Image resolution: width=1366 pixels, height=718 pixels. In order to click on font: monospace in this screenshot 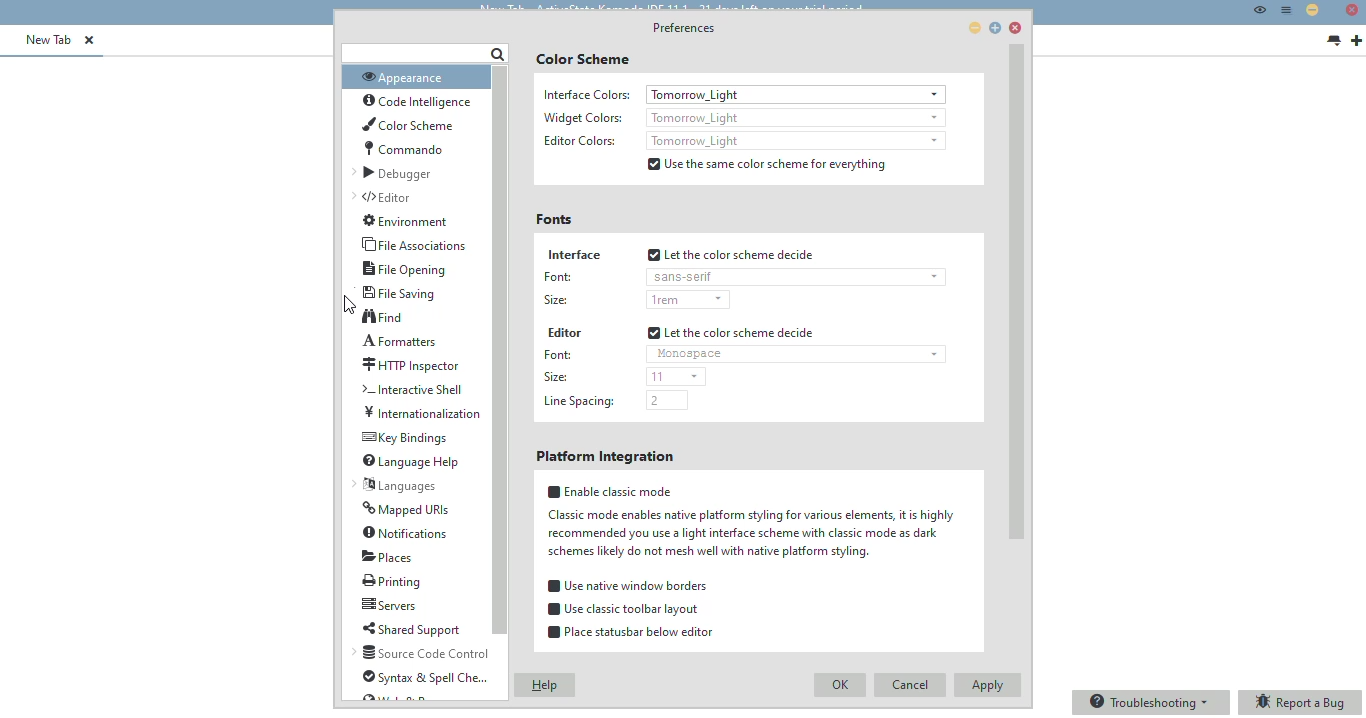, I will do `click(741, 354)`.